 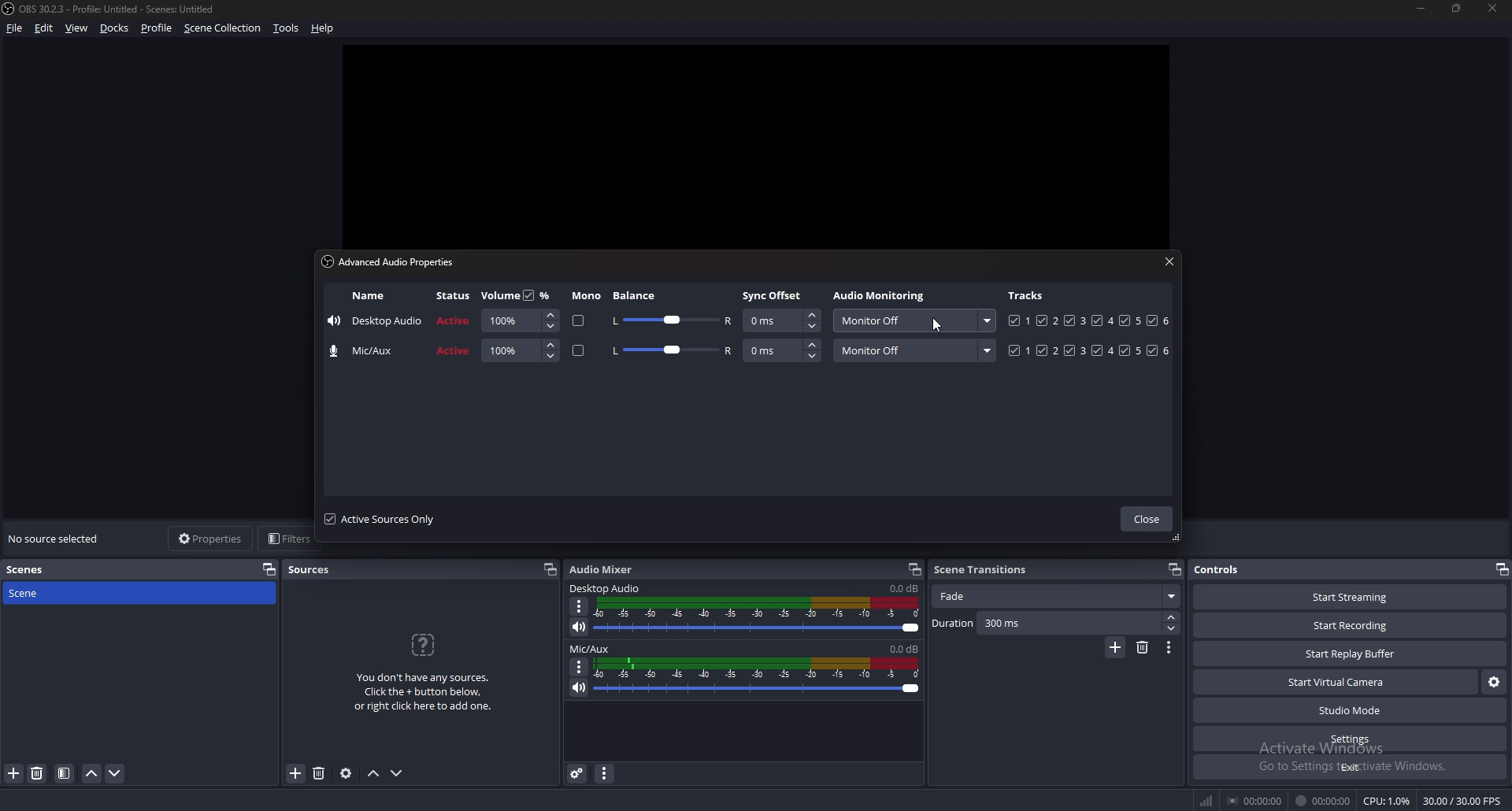 What do you see at coordinates (320, 772) in the screenshot?
I see `remove source` at bounding box center [320, 772].